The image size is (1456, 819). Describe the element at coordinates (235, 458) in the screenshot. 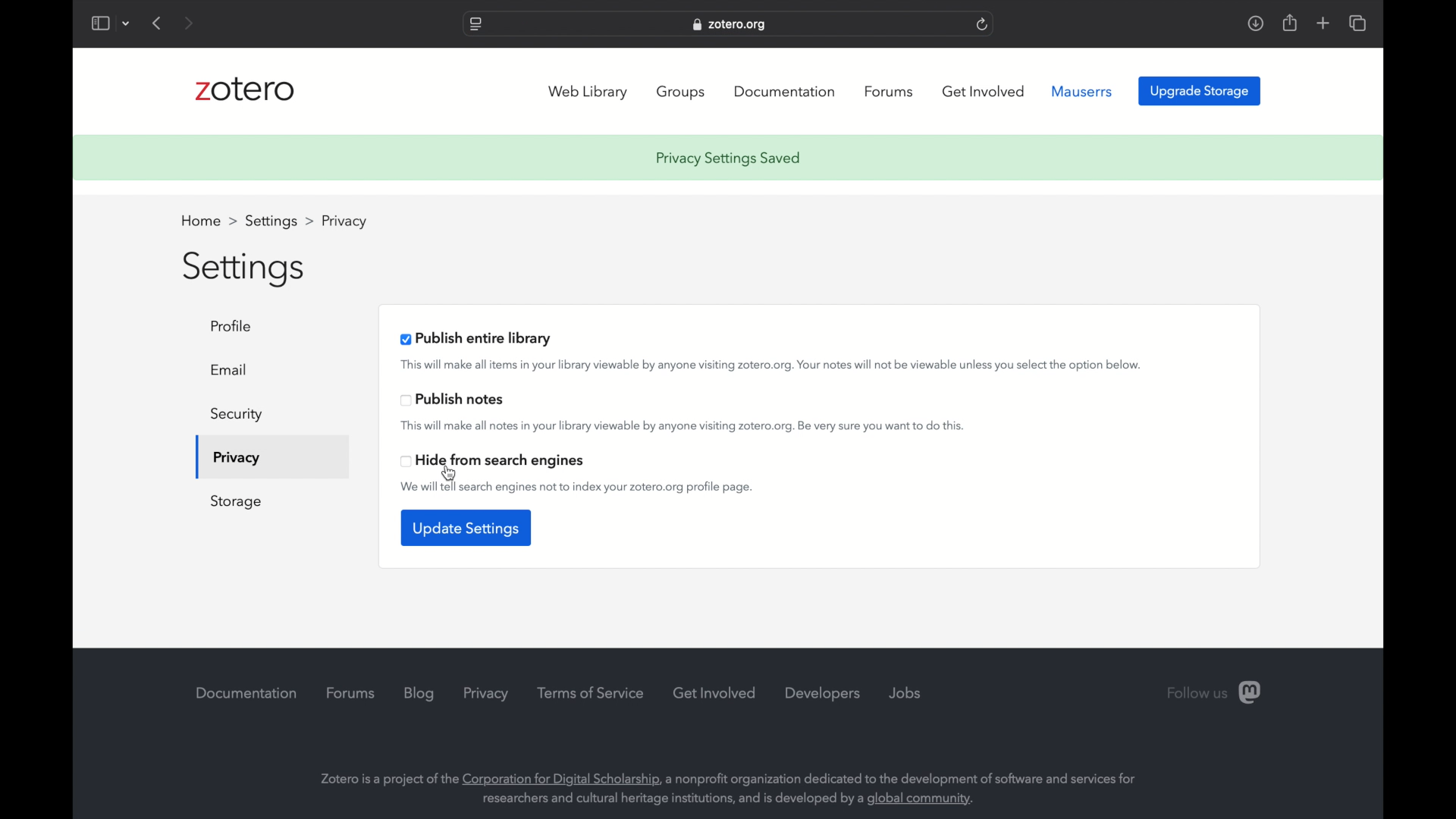

I see `privacy` at that location.